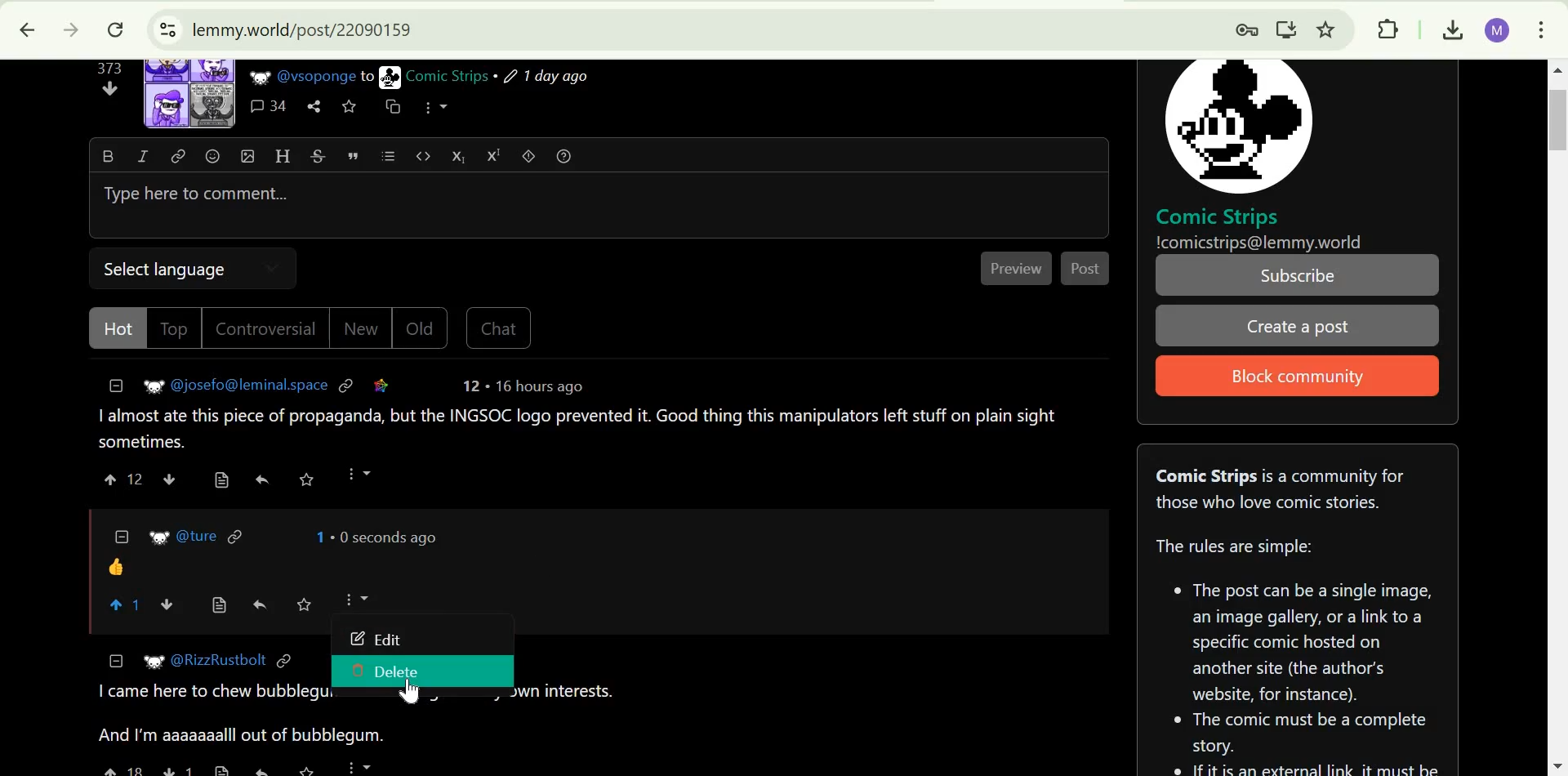 The height and width of the screenshot is (776, 1568). I want to click on Hot, so click(121, 328).